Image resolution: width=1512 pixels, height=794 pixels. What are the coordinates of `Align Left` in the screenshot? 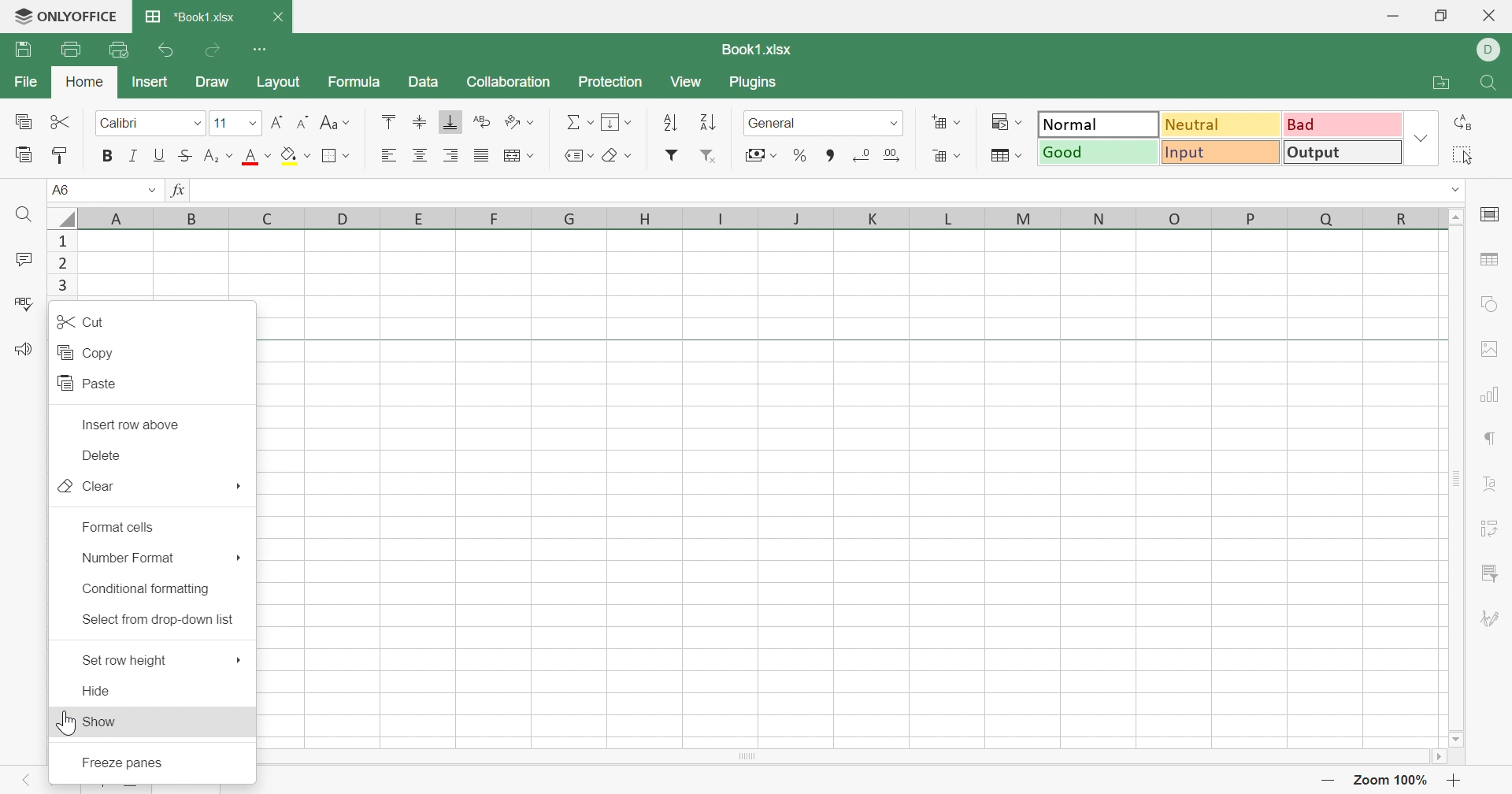 It's located at (391, 154).